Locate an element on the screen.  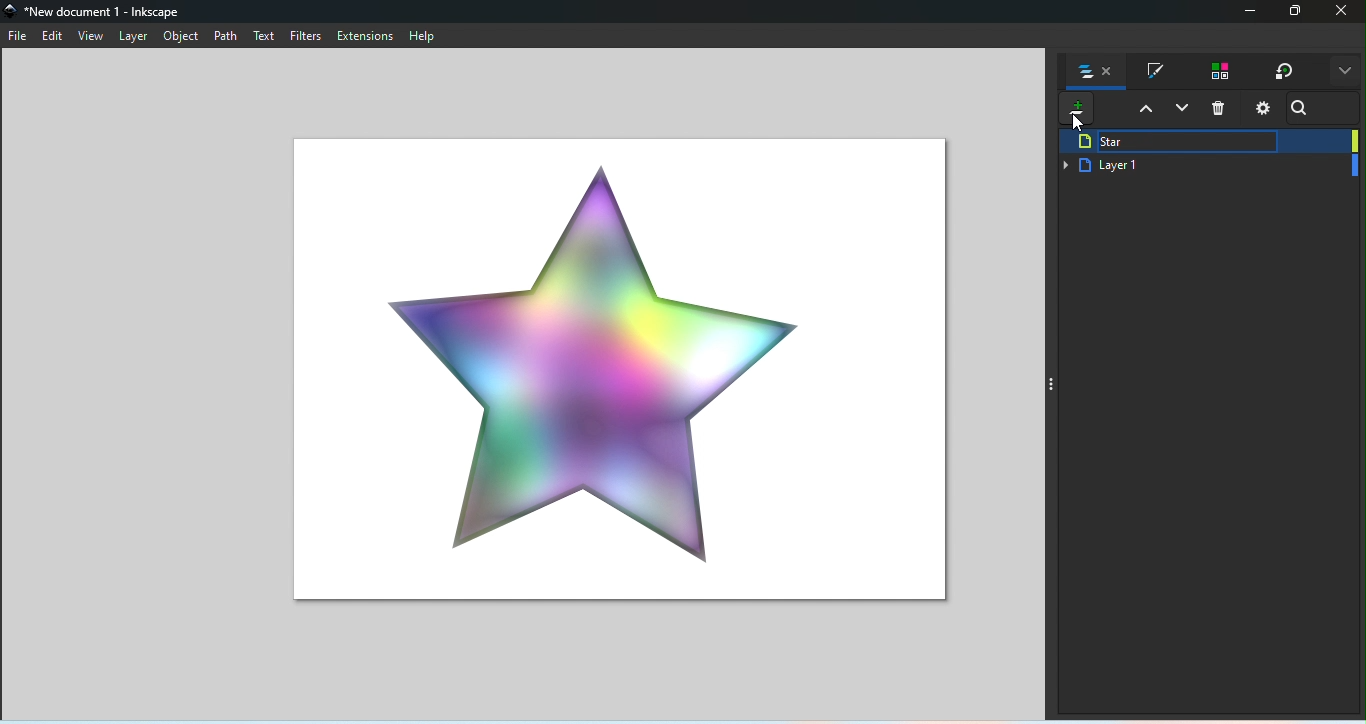
Swatches is located at coordinates (1217, 72).